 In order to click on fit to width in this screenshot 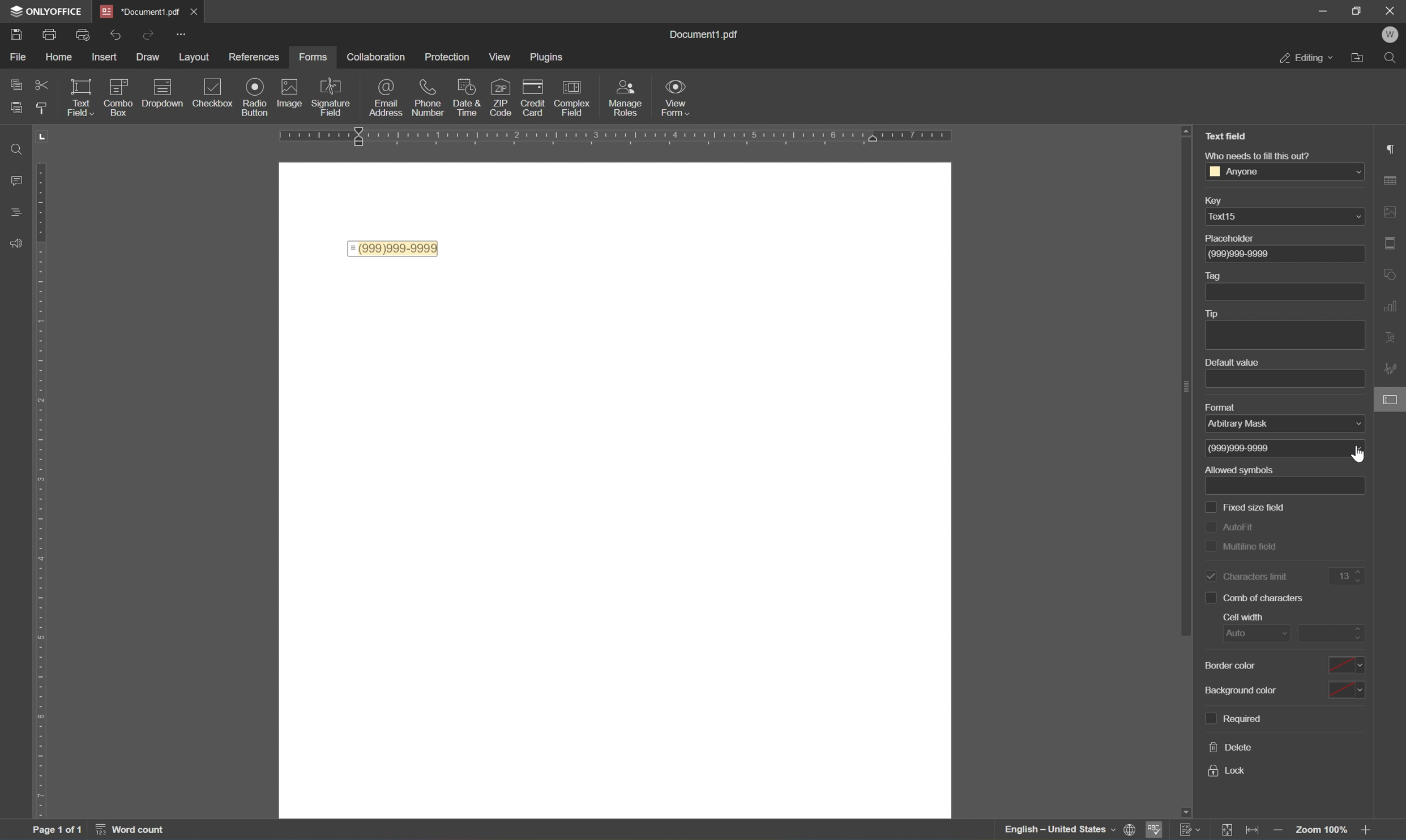, I will do `click(1253, 829)`.